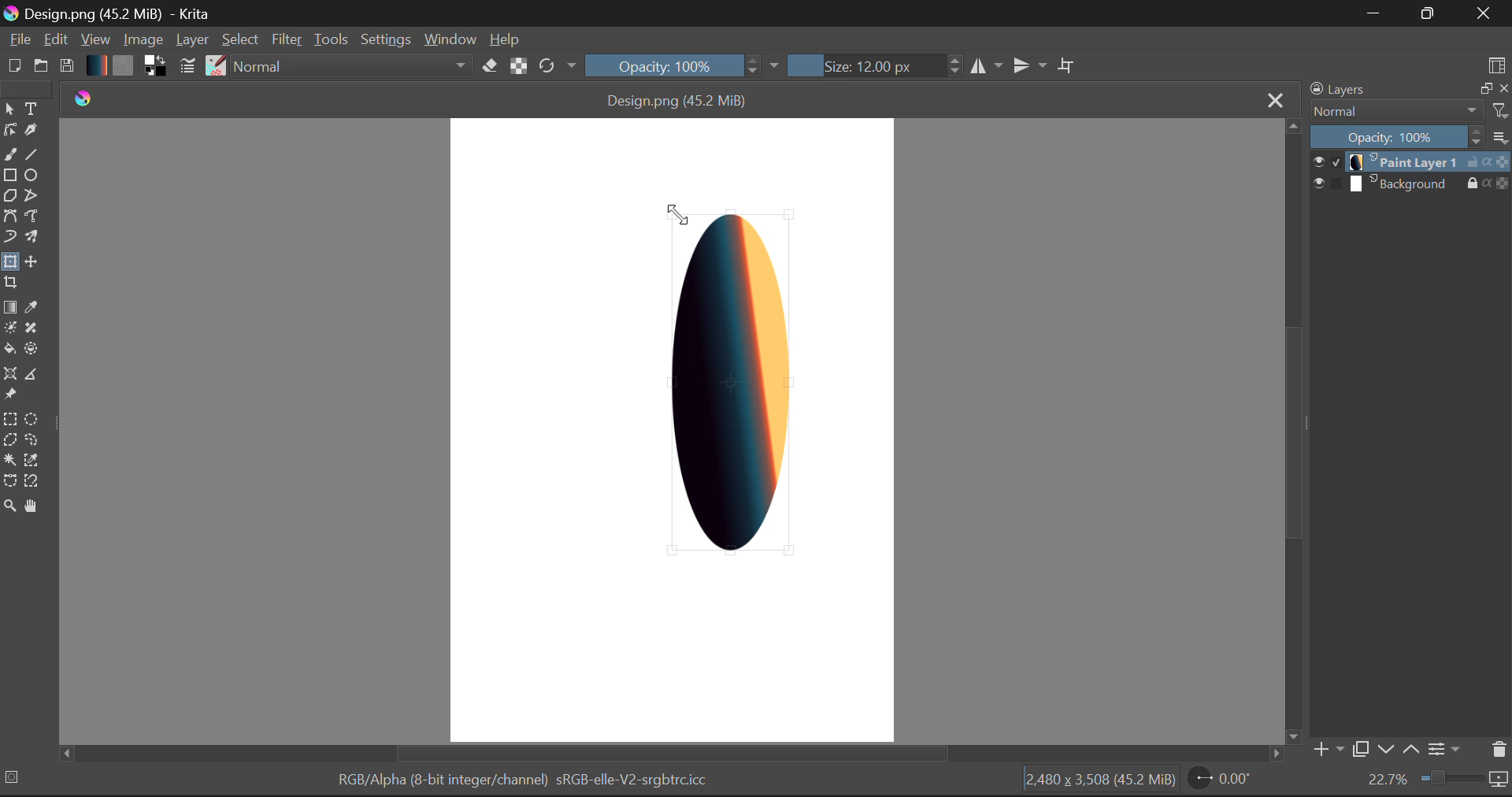  I want to click on MOUSE_UP Cursor Position, so click(677, 216).